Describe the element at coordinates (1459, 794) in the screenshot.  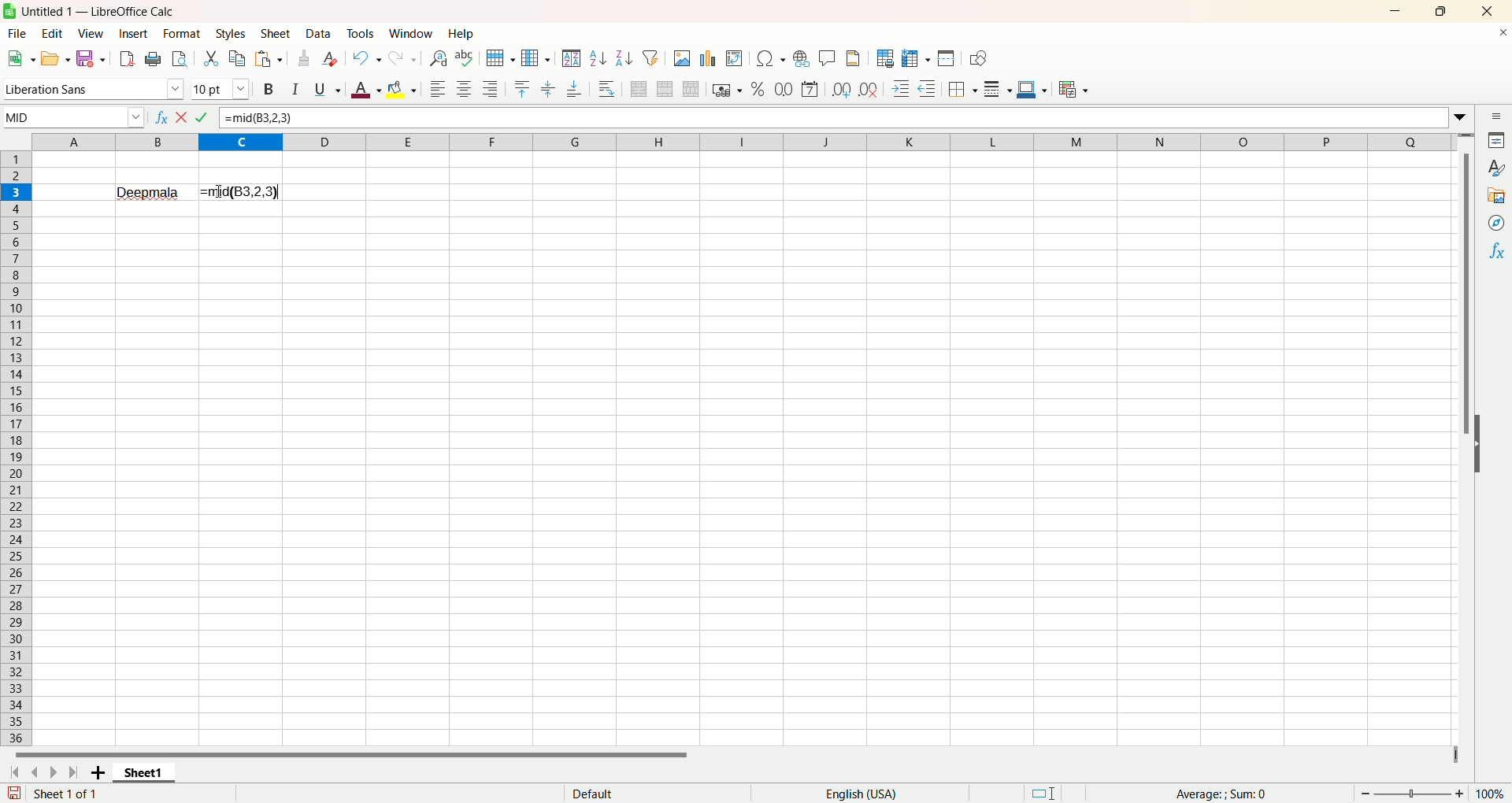
I see `Zoom in` at that location.